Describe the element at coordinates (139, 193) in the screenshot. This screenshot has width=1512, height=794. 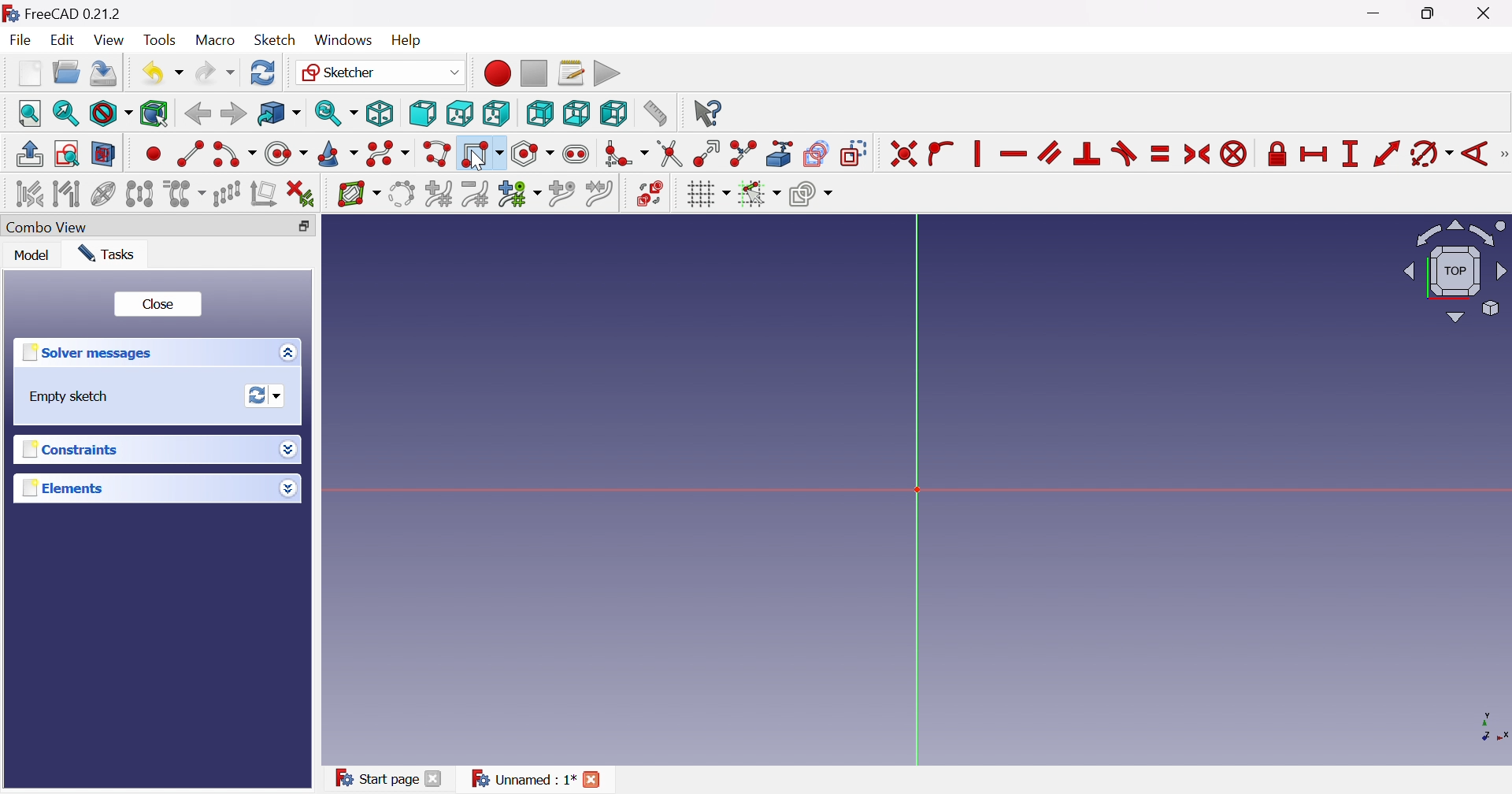
I see `Symmetry` at that location.